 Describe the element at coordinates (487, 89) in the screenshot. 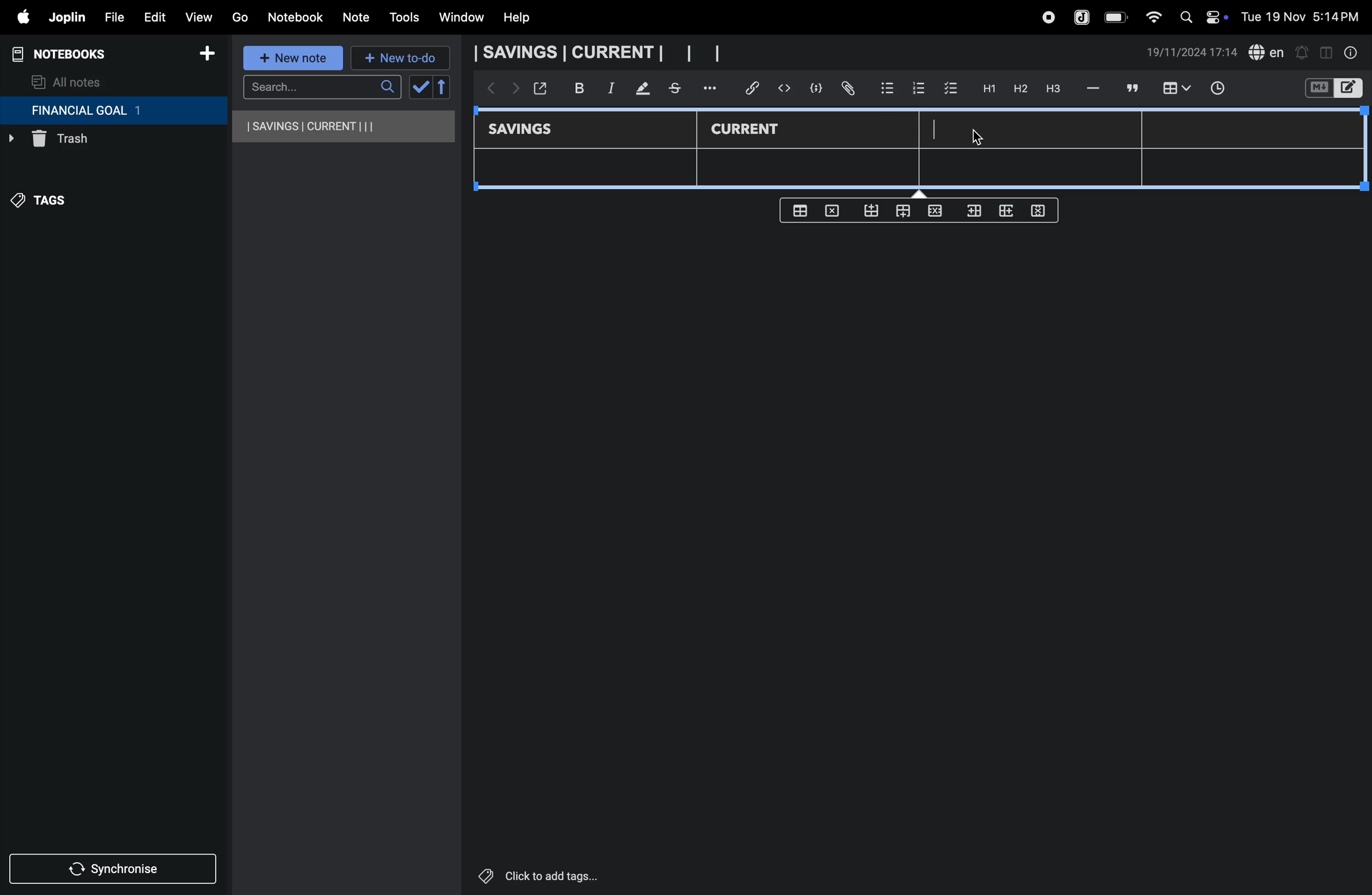

I see `backward` at that location.